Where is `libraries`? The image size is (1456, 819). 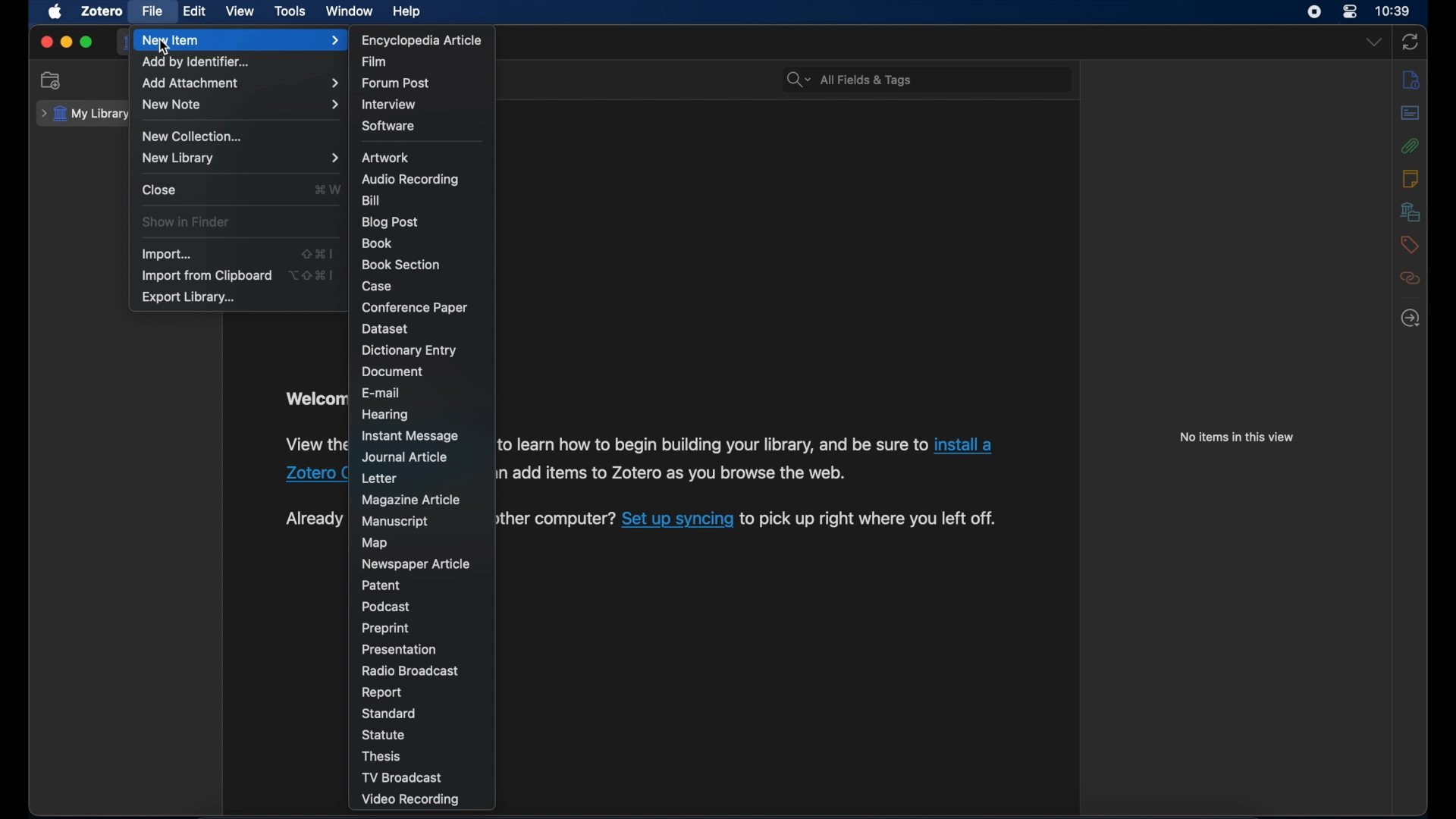
libraries is located at coordinates (1410, 212).